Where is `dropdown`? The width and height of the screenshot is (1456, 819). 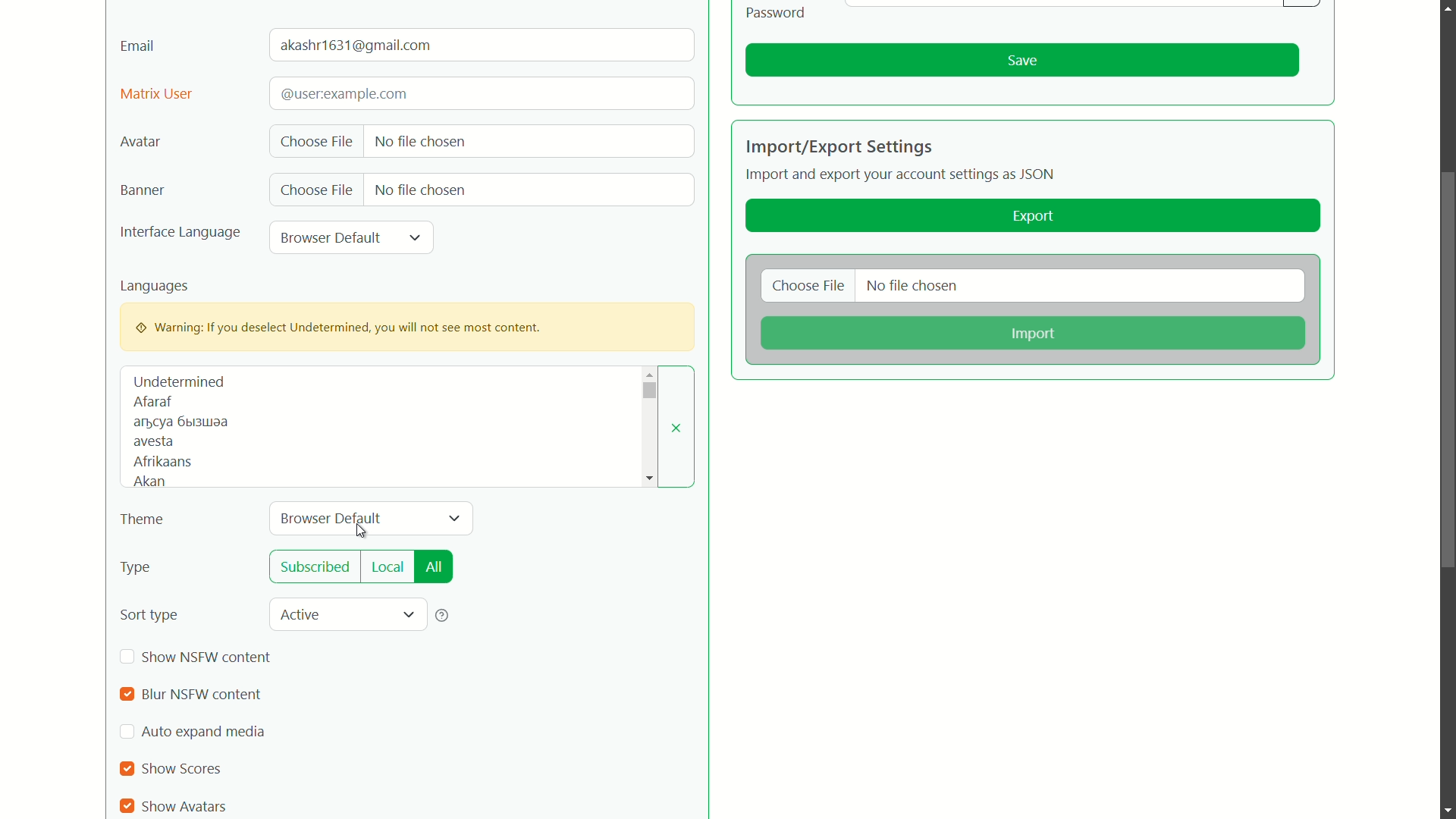
dropdown is located at coordinates (408, 616).